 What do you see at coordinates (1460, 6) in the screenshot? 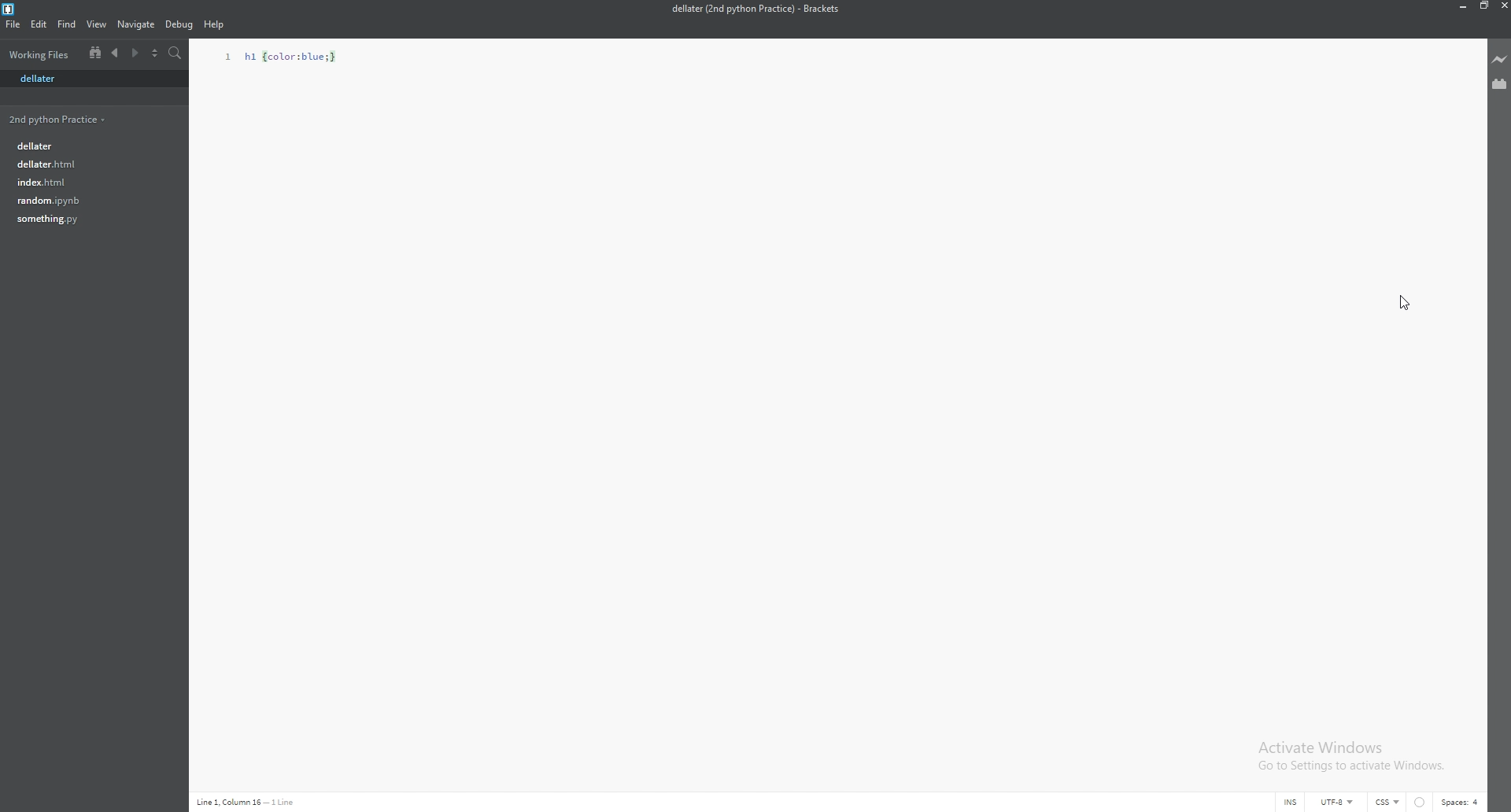
I see `minimize` at bounding box center [1460, 6].